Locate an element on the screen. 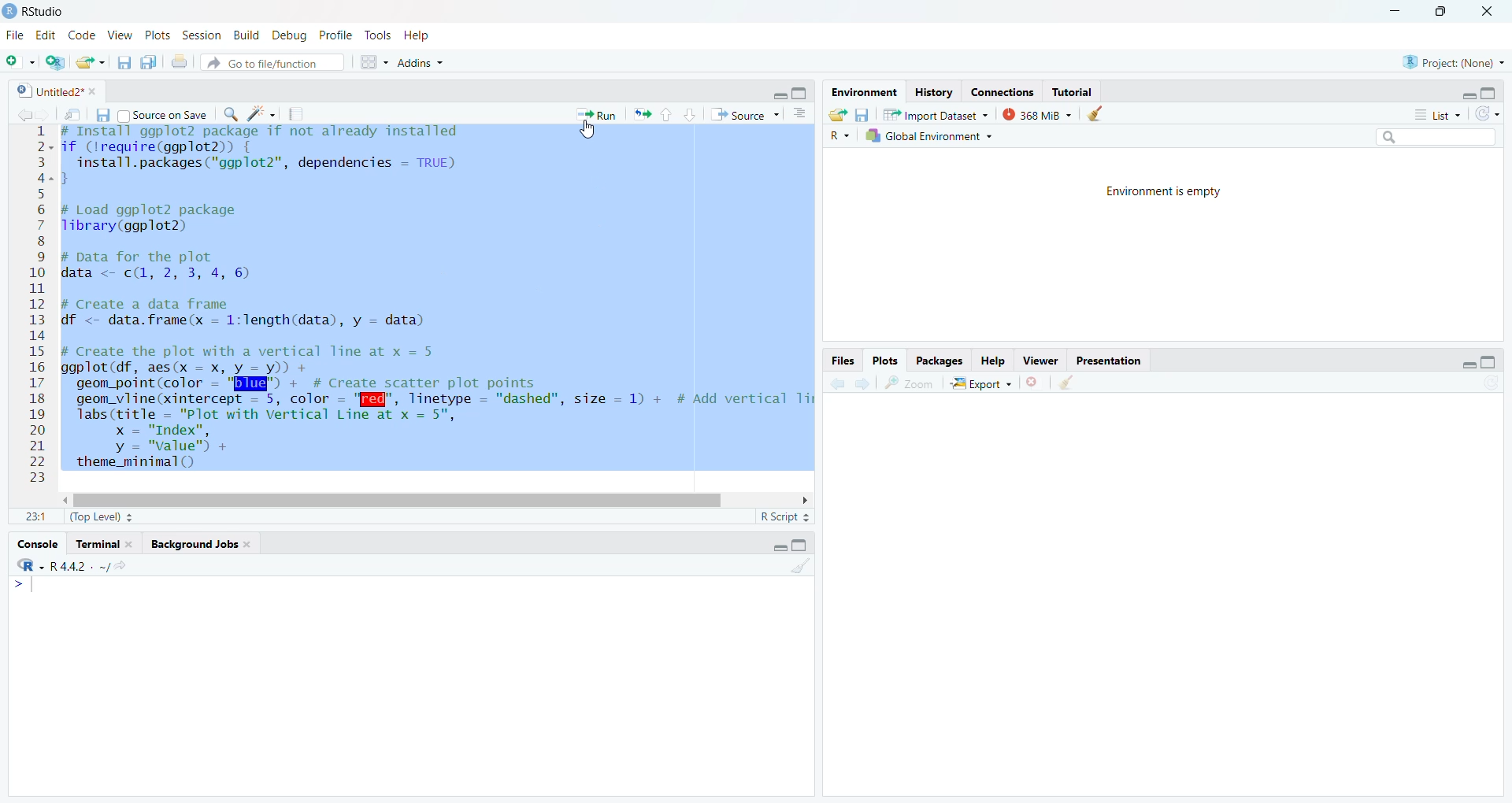 This screenshot has height=803, width=1512. files is located at coordinates (122, 65).